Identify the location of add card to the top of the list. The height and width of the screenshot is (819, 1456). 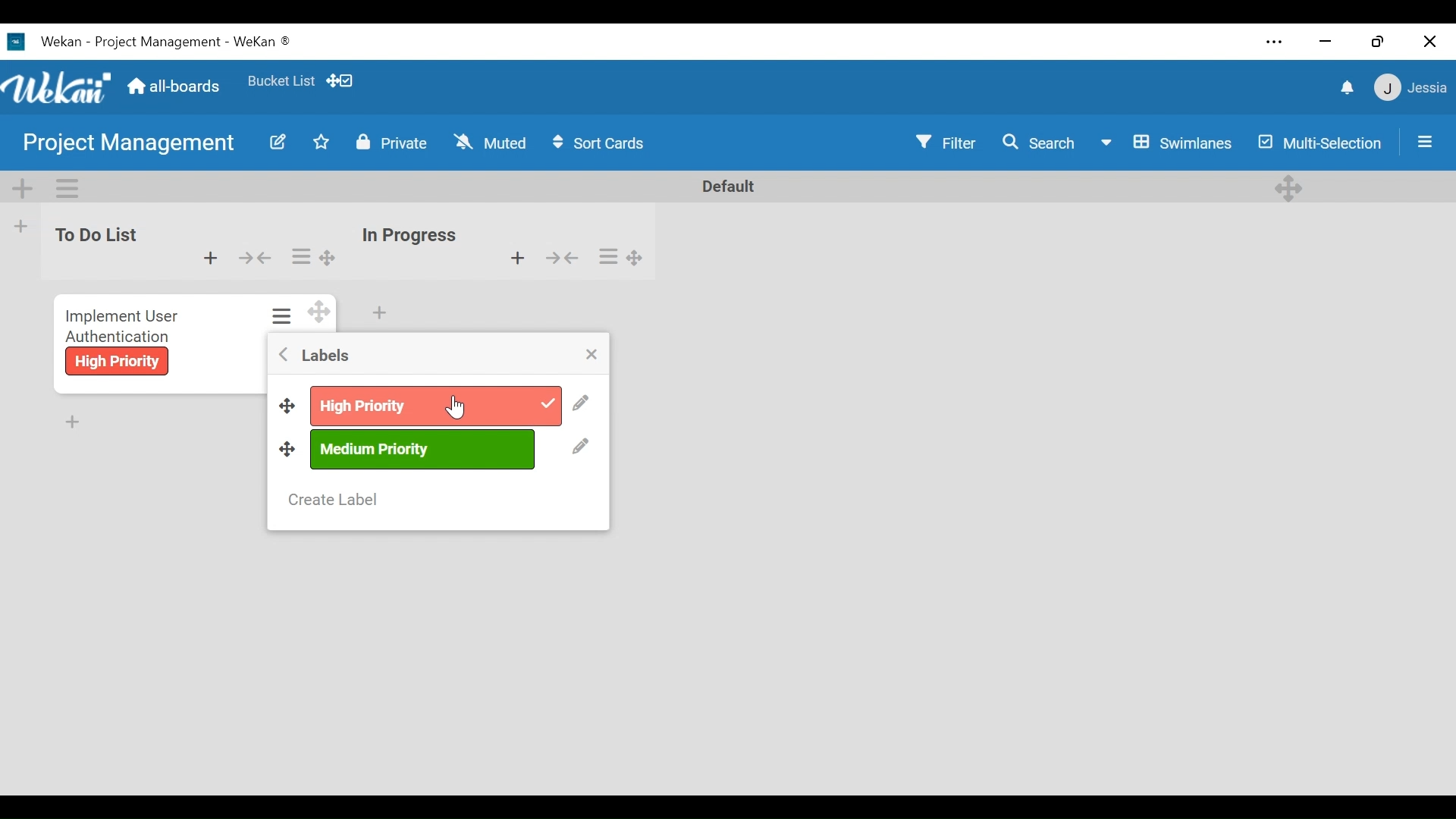
(209, 259).